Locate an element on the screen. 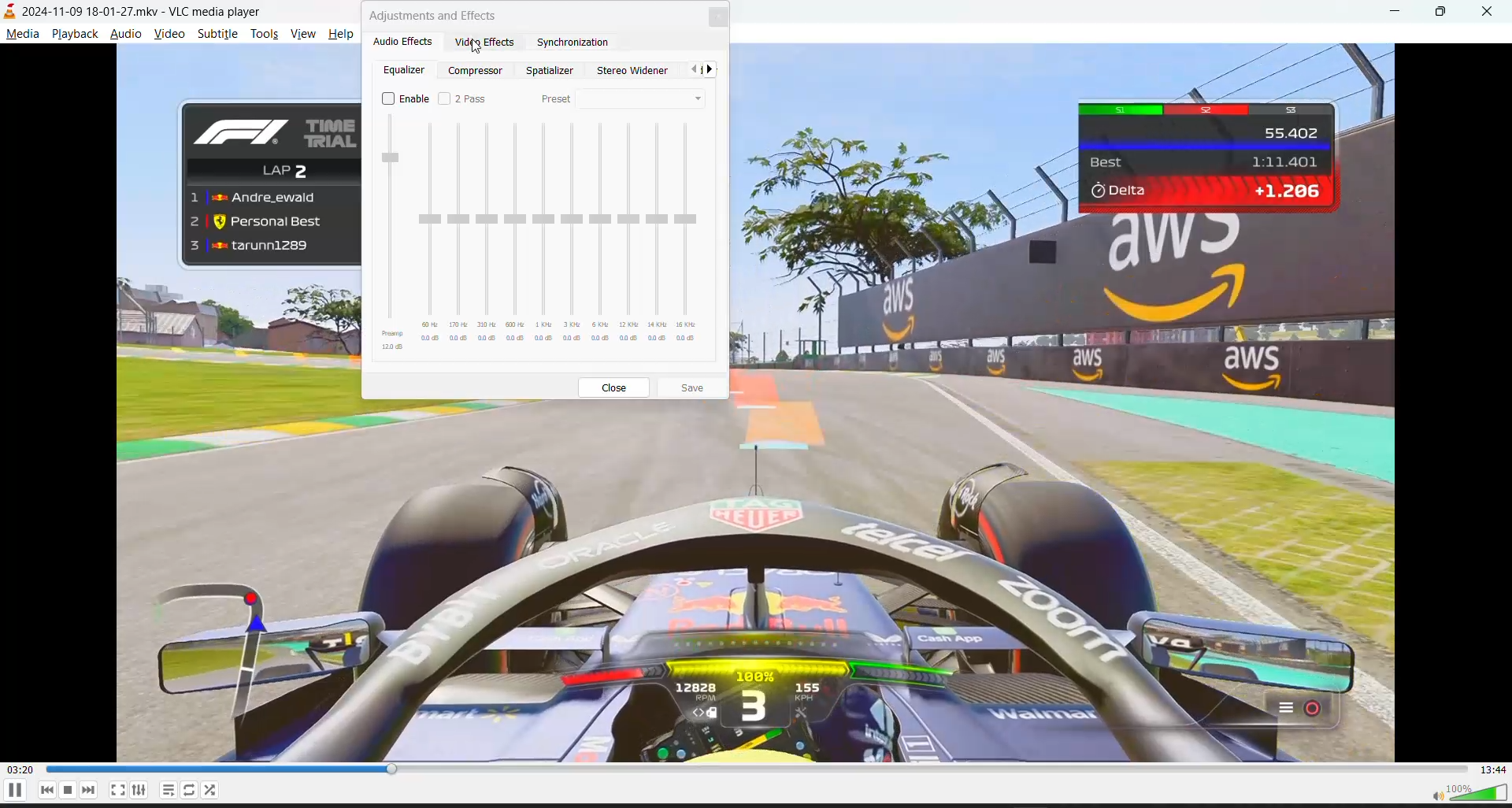 This screenshot has height=808, width=1512. slider is located at coordinates (515, 230).